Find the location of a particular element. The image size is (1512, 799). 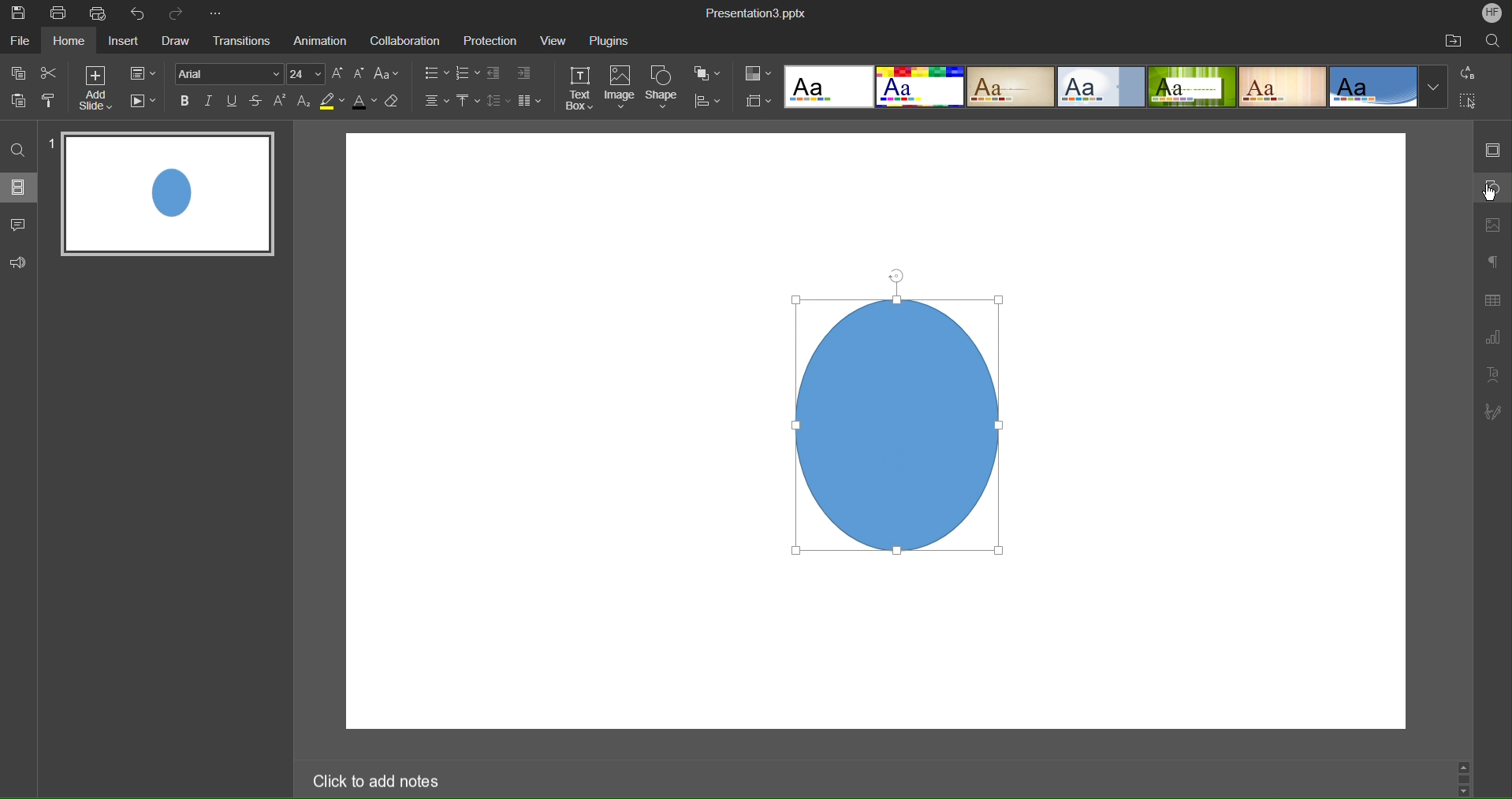

Graph is located at coordinates (1492, 337).